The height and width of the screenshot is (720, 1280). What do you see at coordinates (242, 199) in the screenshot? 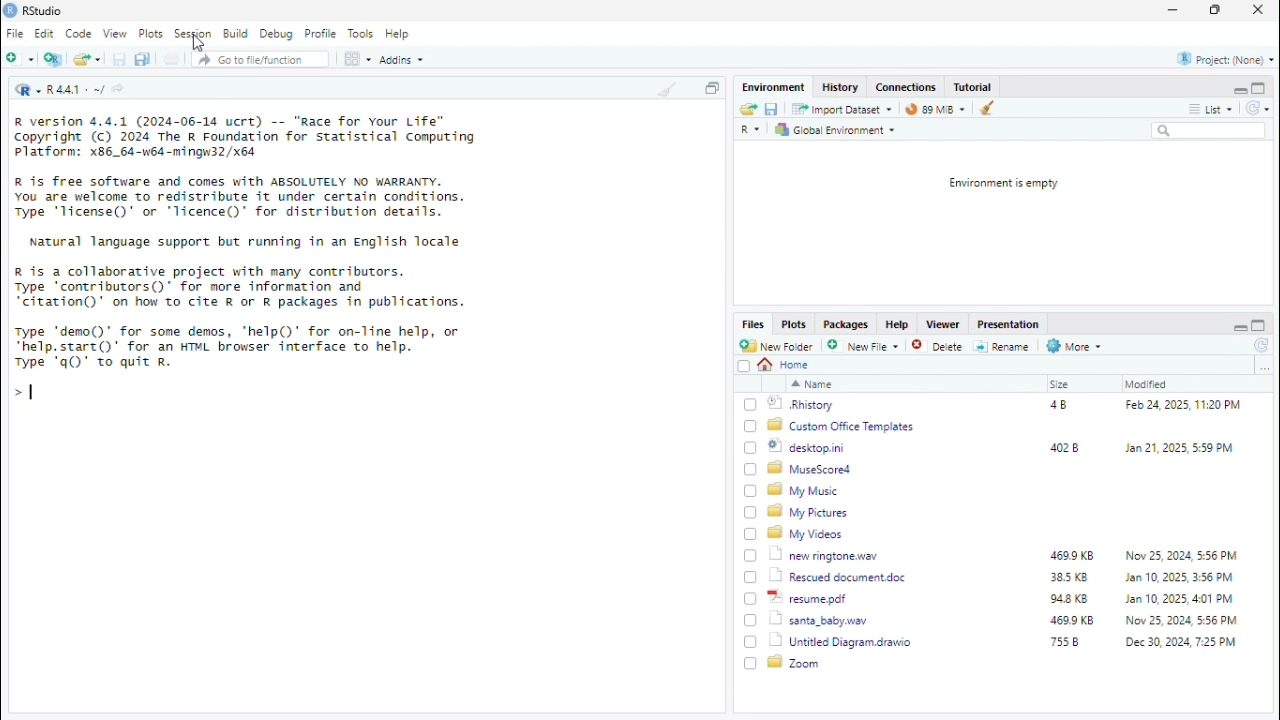
I see `R is free software and comes with ABSOLUTELY NO WARRANTY.
You are welcome to redistribute it under certain conditions.
Type 'Ticense()' or "licence()' for distribution details.` at bounding box center [242, 199].